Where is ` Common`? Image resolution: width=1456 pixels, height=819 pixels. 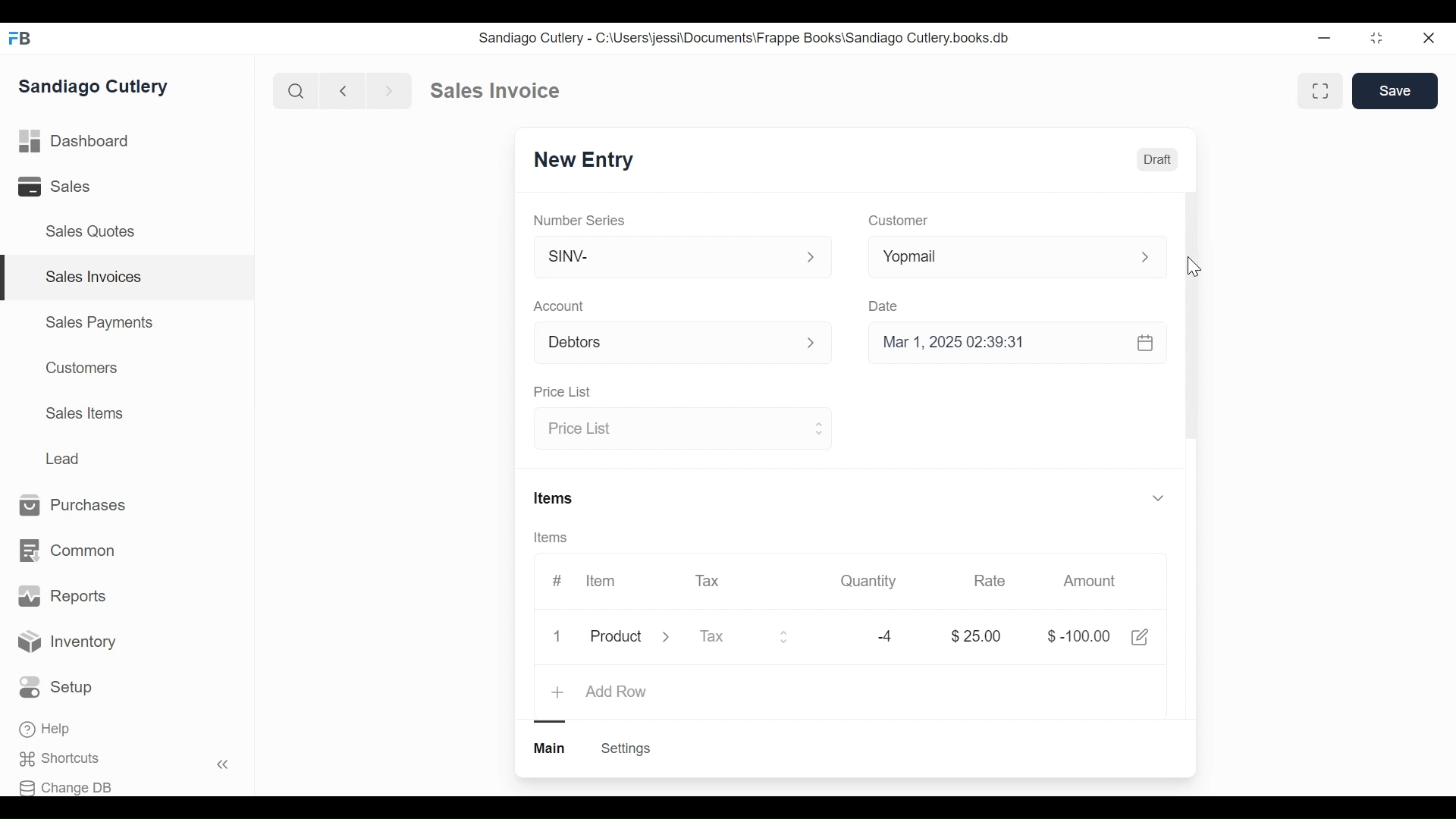
 Common is located at coordinates (69, 550).